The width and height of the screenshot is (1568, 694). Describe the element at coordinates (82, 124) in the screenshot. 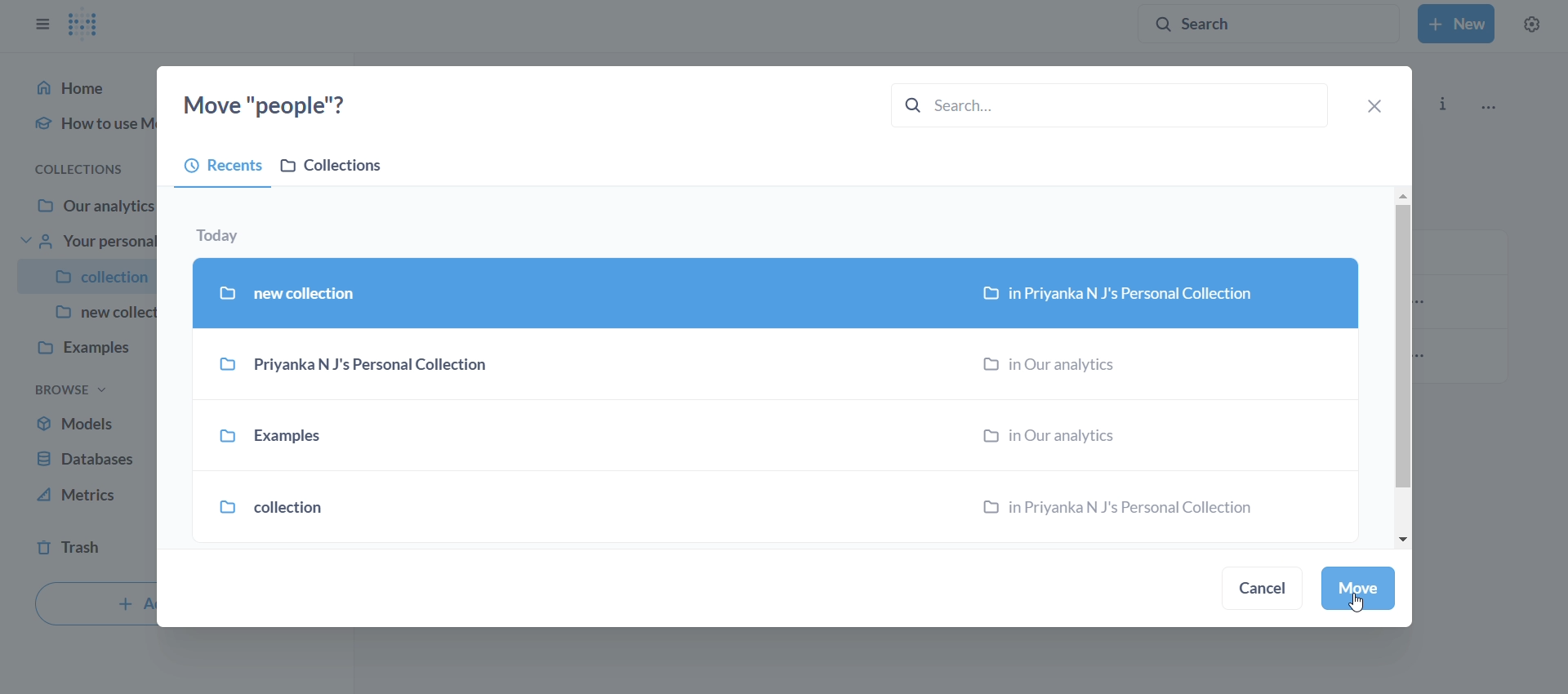

I see `how to use` at that location.